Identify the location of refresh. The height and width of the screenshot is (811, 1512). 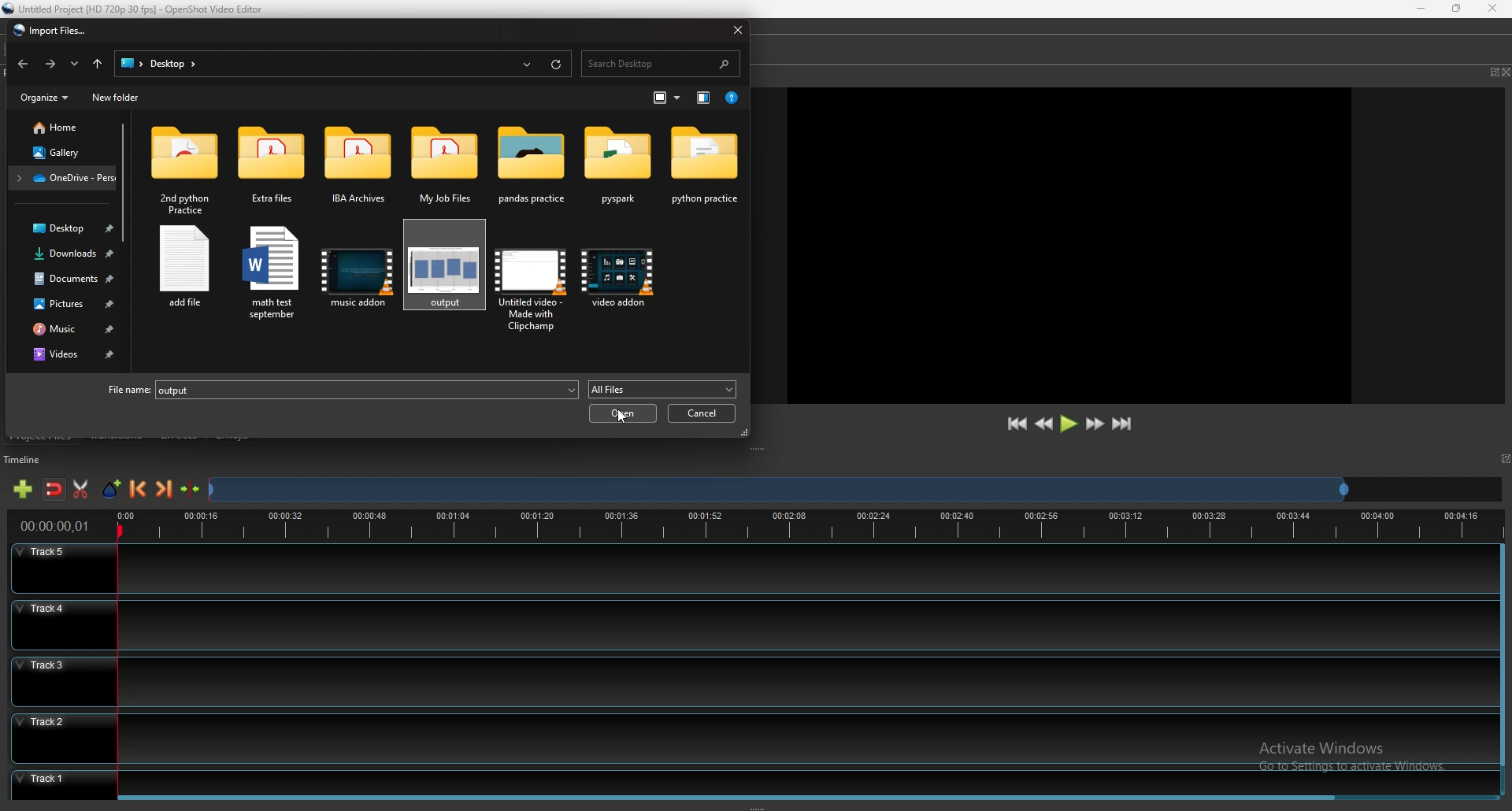
(557, 65).